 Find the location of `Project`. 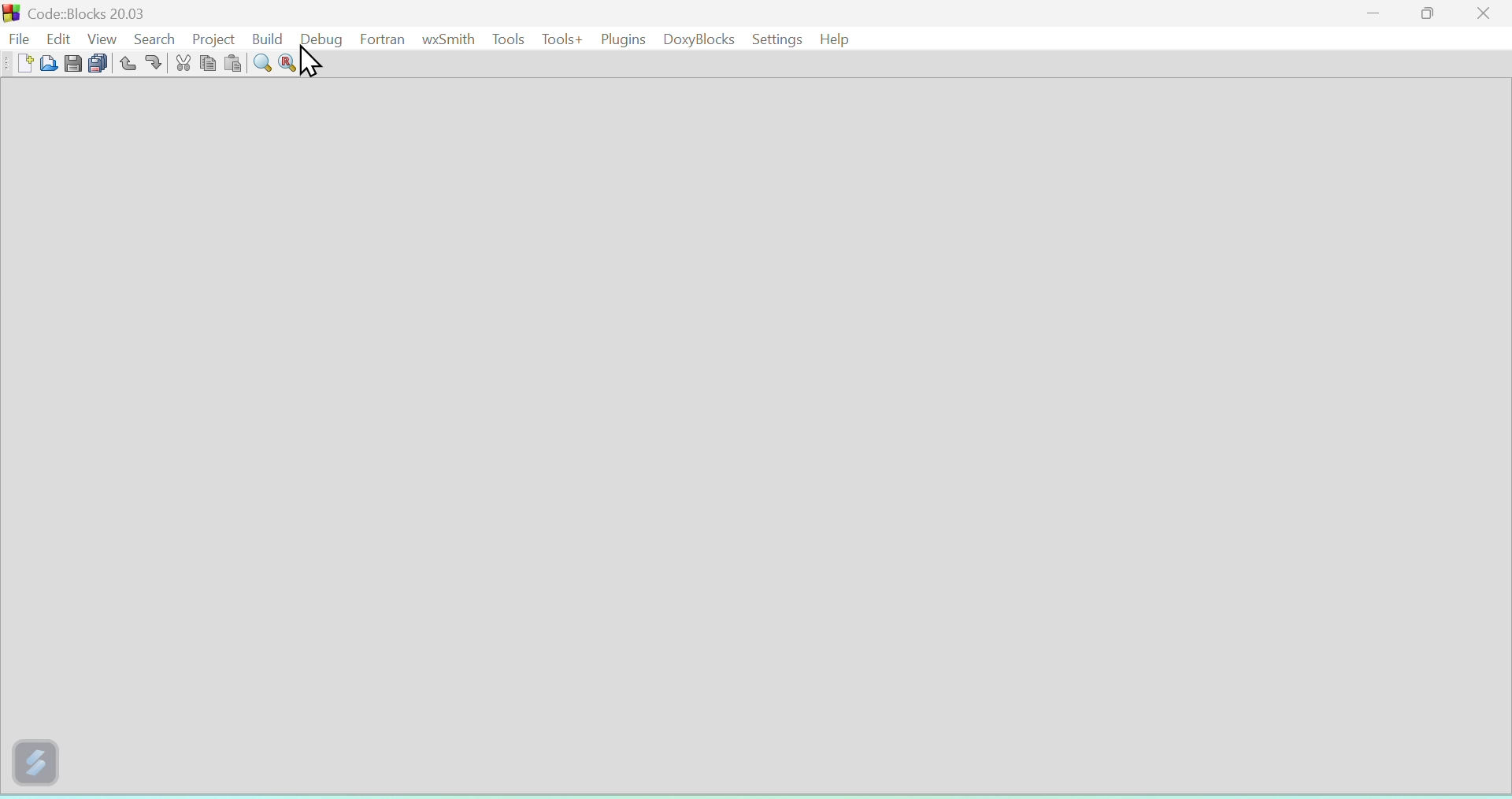

Project is located at coordinates (209, 36).